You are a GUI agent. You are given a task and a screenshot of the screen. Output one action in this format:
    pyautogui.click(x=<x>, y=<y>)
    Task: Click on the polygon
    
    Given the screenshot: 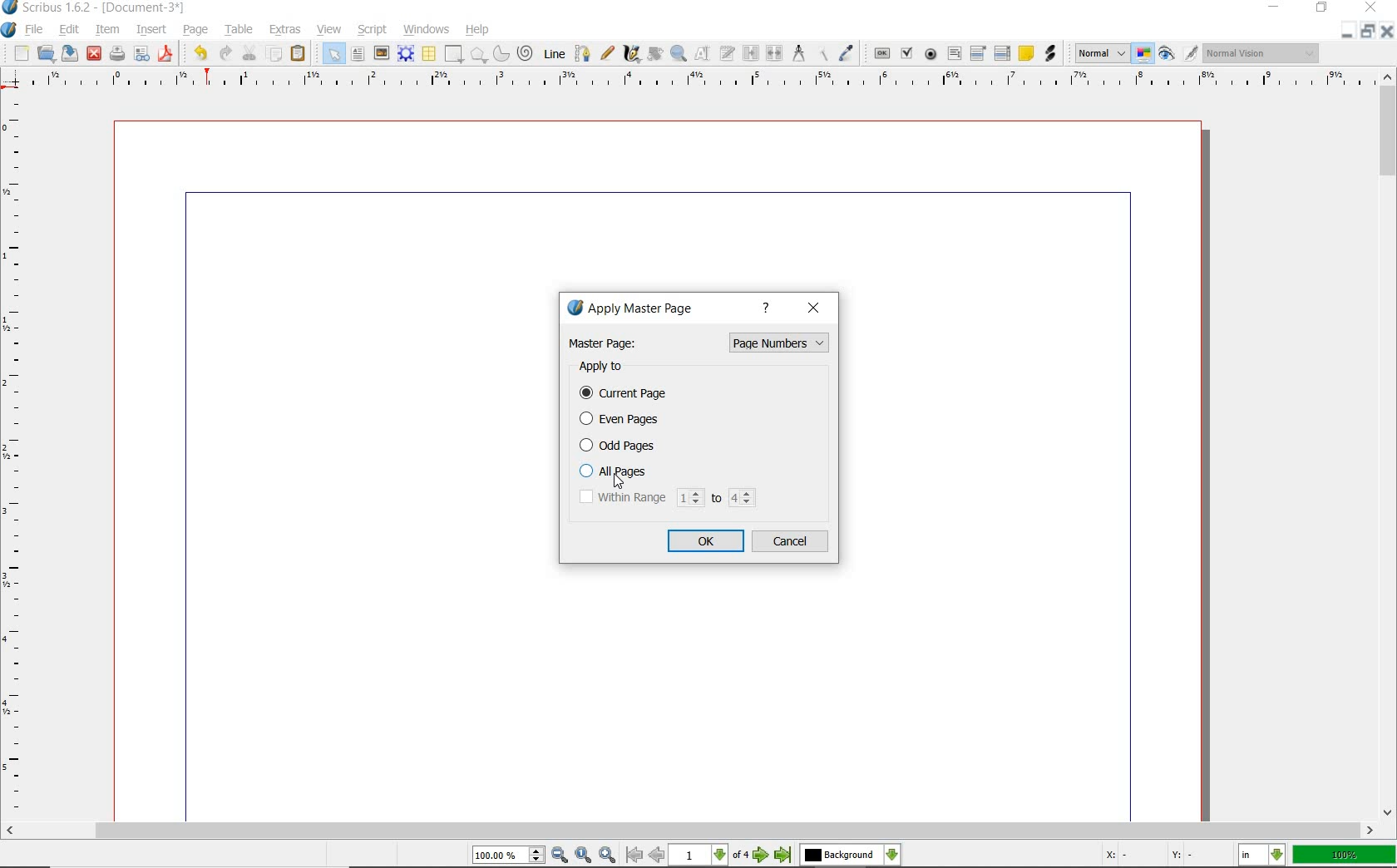 What is the action you would take?
    pyautogui.click(x=477, y=55)
    